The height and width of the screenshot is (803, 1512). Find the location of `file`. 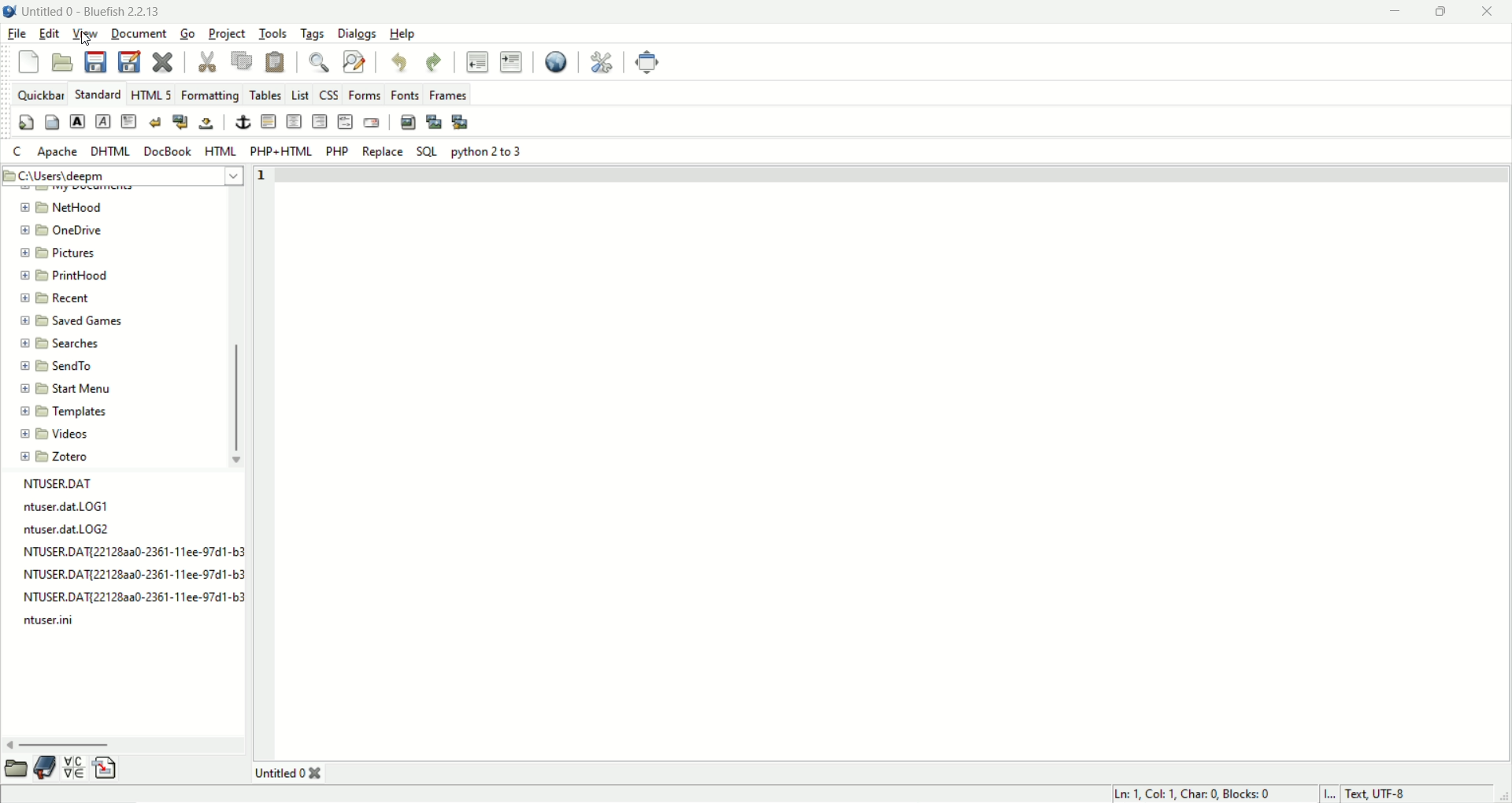

file is located at coordinates (72, 509).